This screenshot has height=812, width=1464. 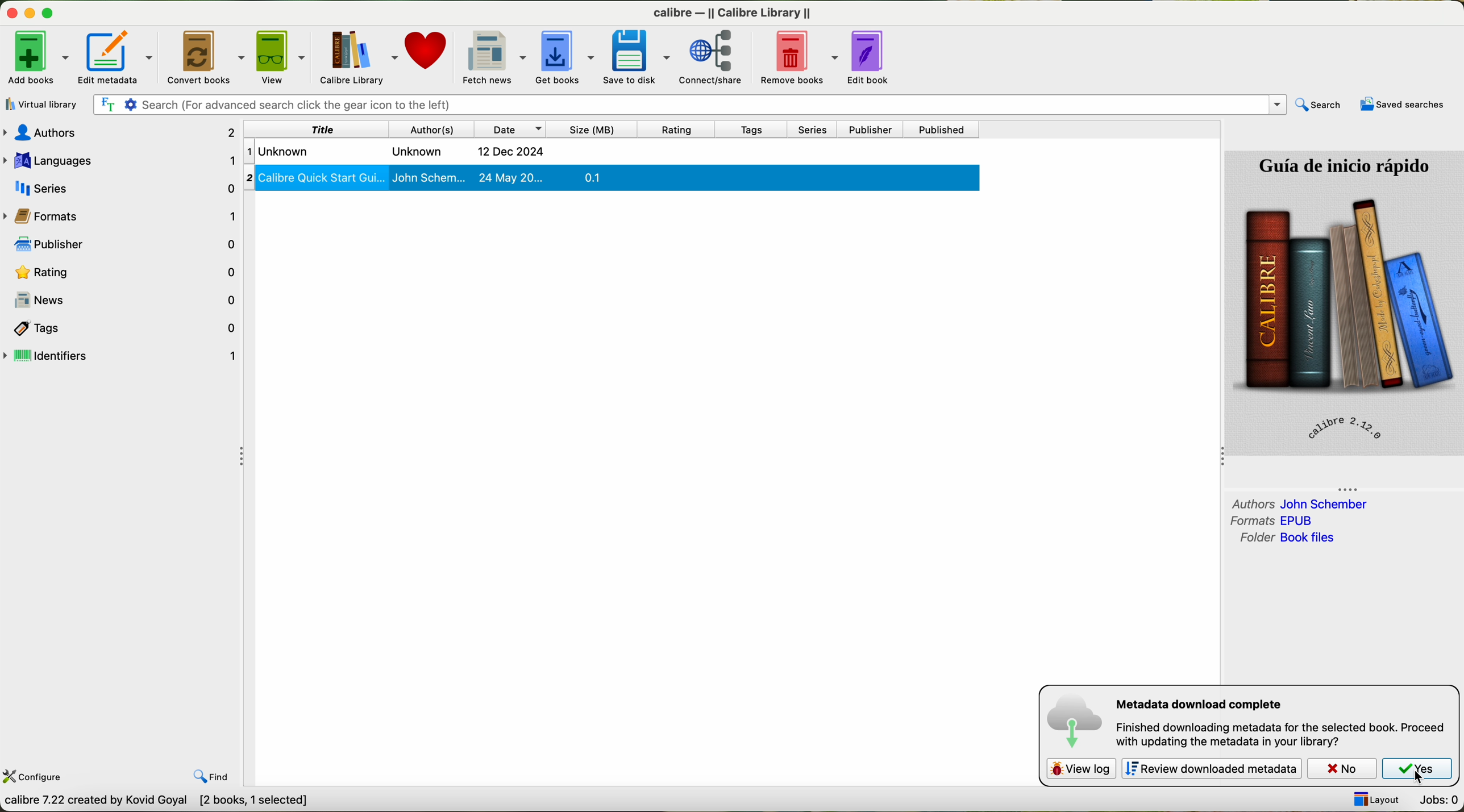 What do you see at coordinates (212, 776) in the screenshot?
I see `find` at bounding box center [212, 776].